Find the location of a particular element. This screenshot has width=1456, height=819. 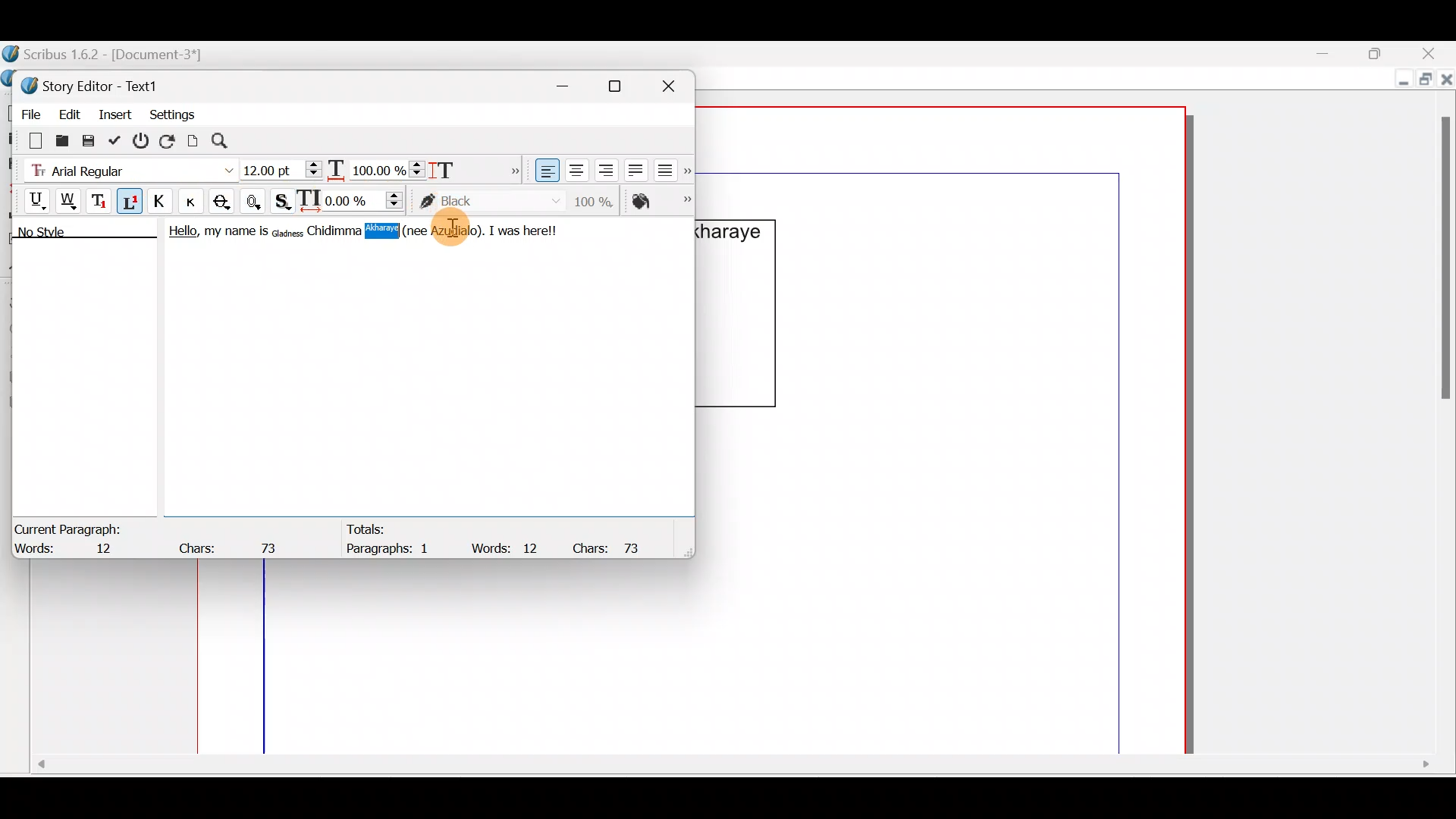

I was herel! is located at coordinates (526, 229).